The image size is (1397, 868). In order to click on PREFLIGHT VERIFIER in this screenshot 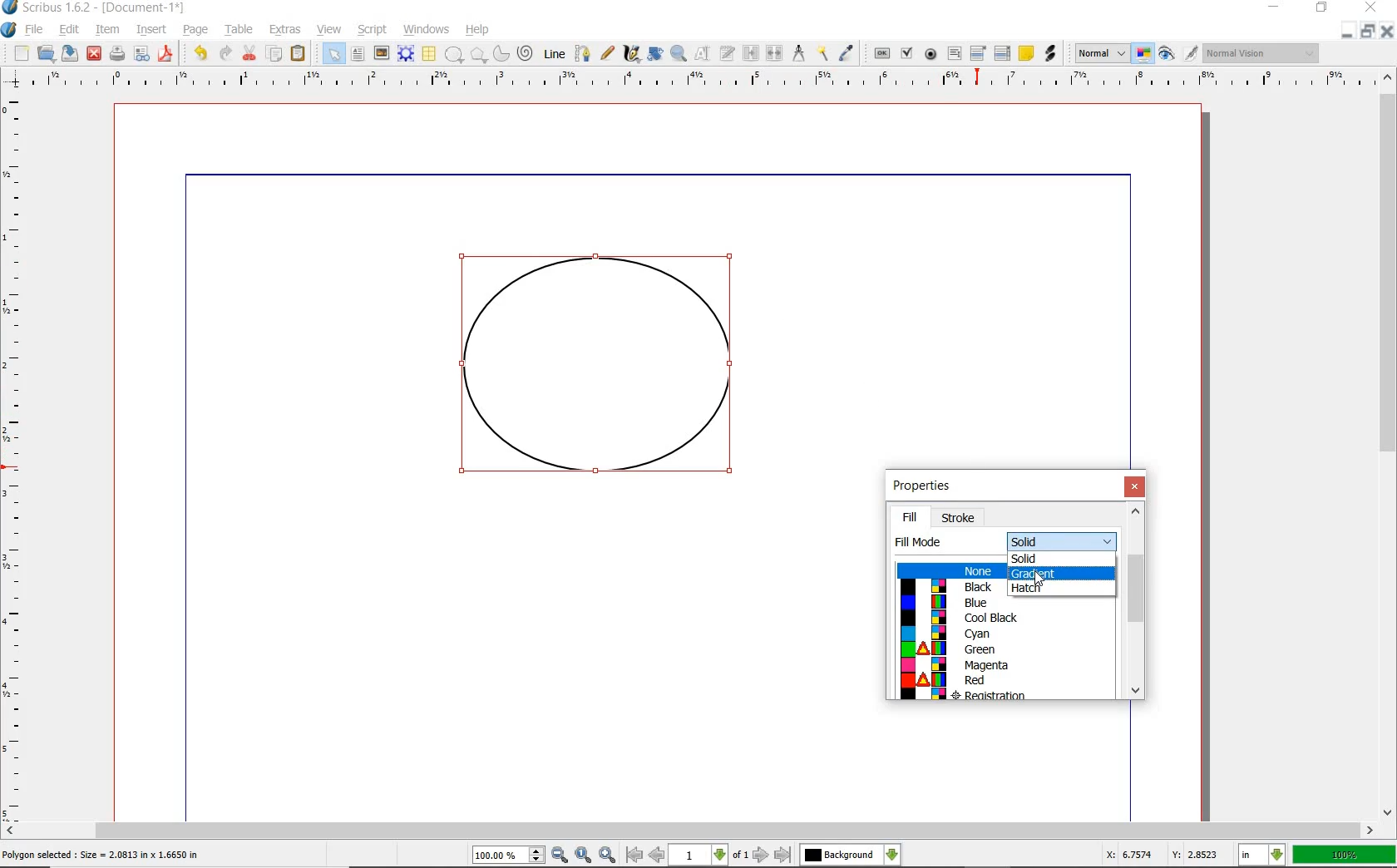, I will do `click(141, 52)`.